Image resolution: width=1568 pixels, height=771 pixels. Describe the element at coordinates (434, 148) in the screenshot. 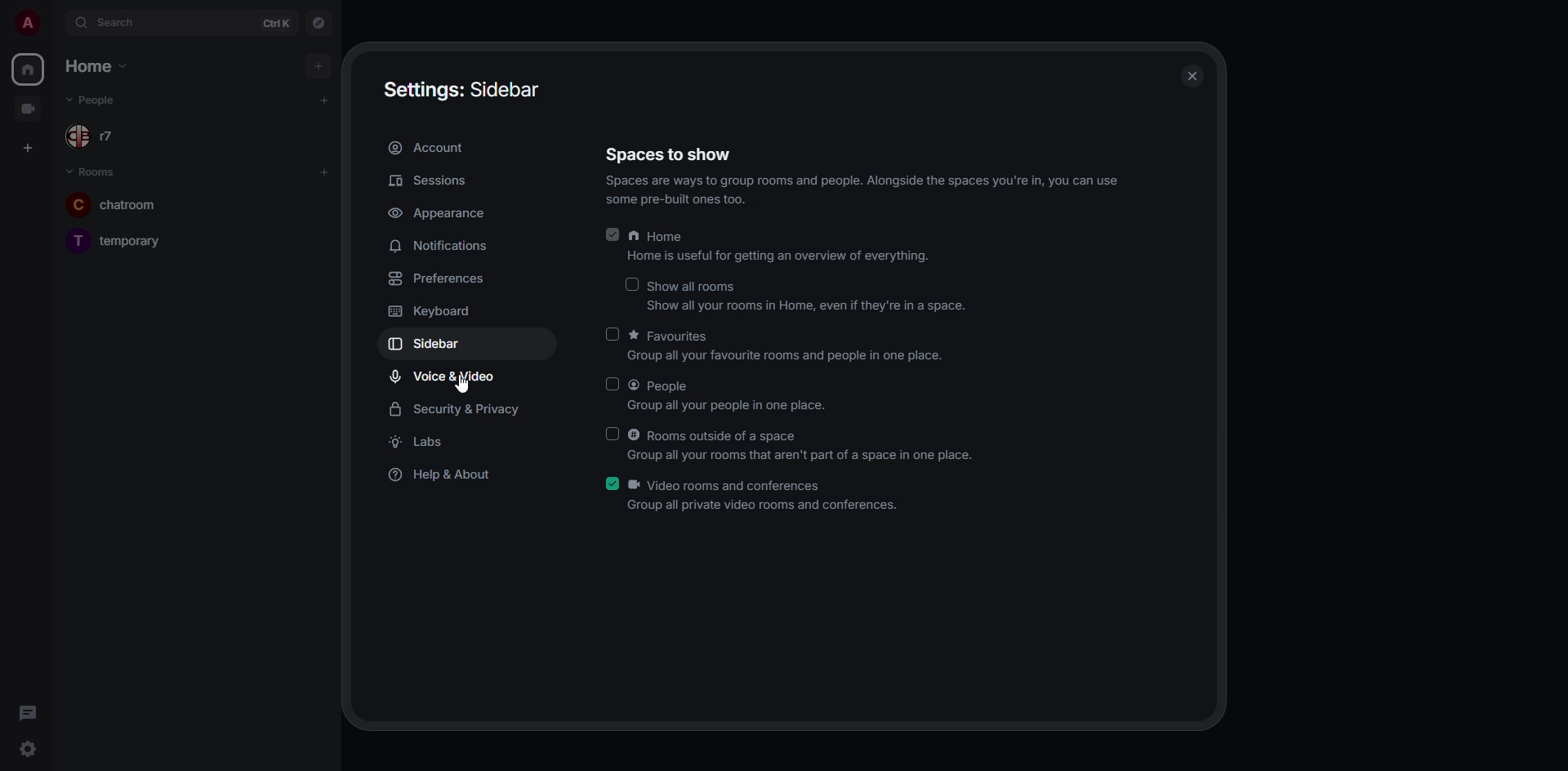

I see `account` at that location.